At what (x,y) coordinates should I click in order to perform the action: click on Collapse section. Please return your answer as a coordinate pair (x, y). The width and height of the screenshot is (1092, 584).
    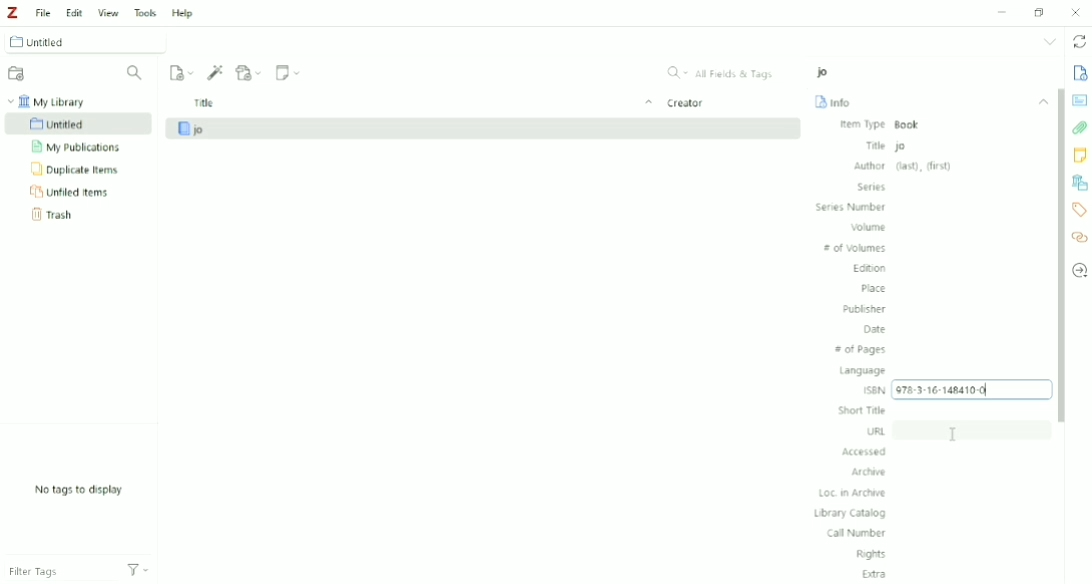
    Looking at the image, I should click on (1040, 99).